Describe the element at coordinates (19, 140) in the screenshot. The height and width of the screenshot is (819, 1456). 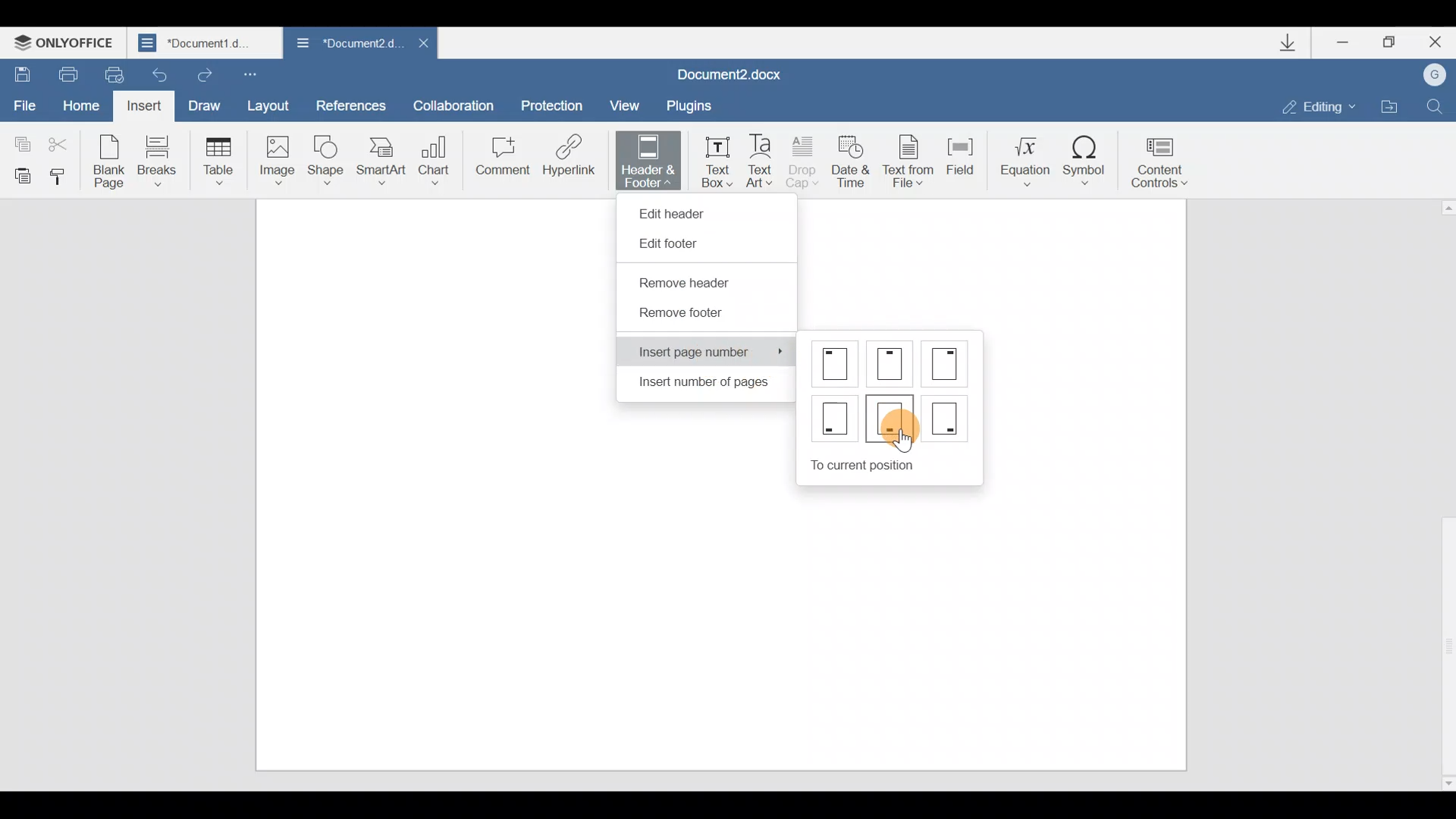
I see `Copy` at that location.